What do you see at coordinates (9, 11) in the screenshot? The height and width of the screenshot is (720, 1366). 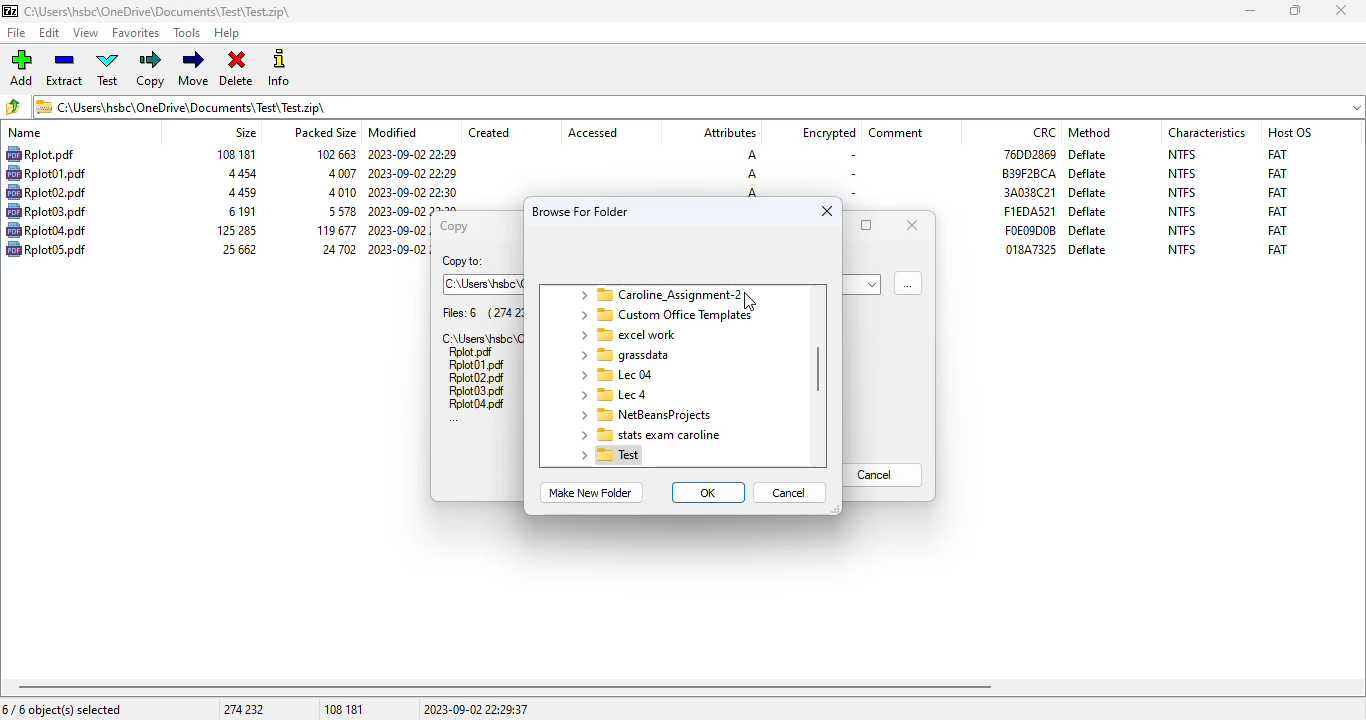 I see `logo` at bounding box center [9, 11].